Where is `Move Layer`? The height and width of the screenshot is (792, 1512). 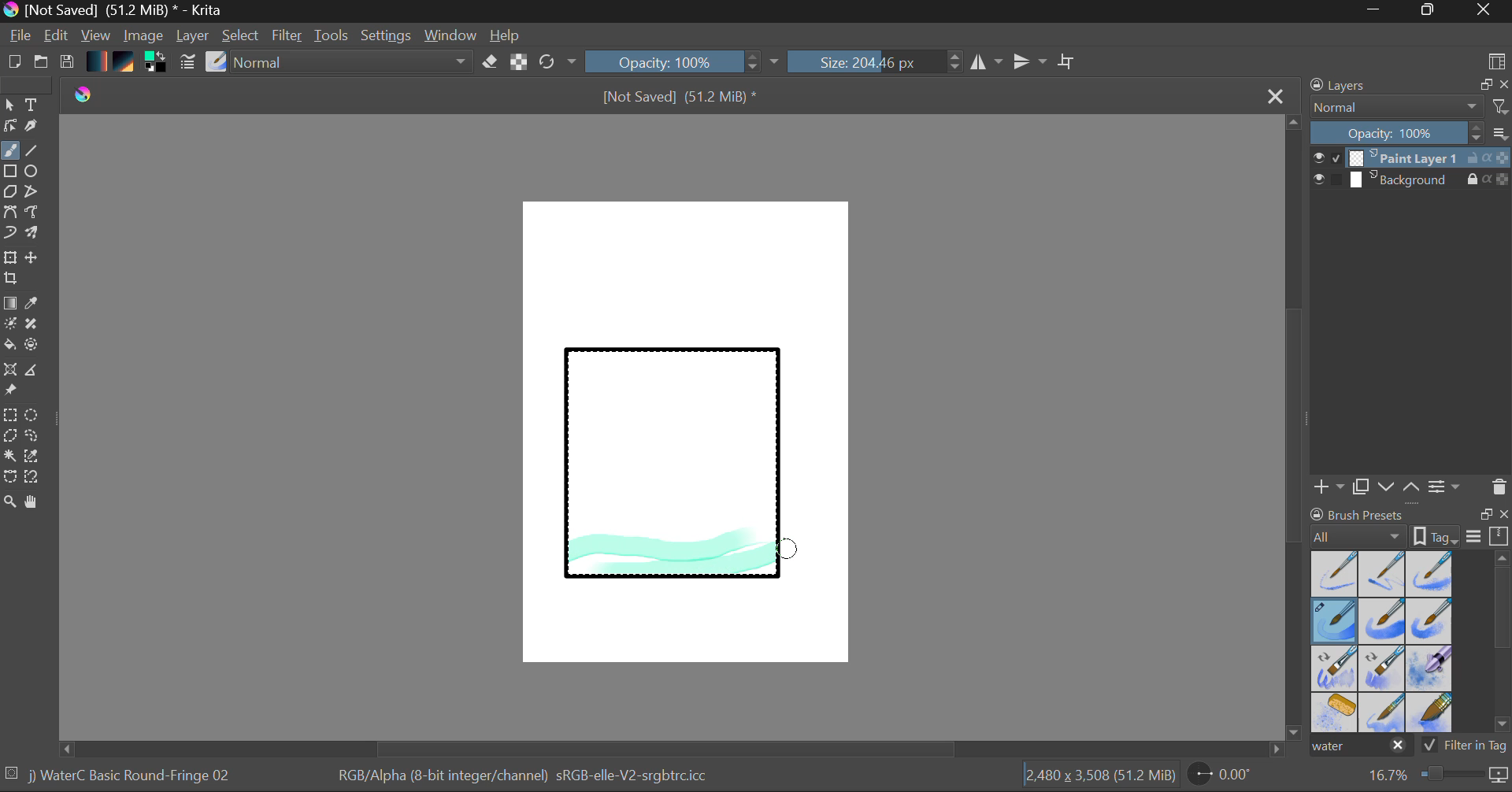 Move Layer is located at coordinates (33, 257).